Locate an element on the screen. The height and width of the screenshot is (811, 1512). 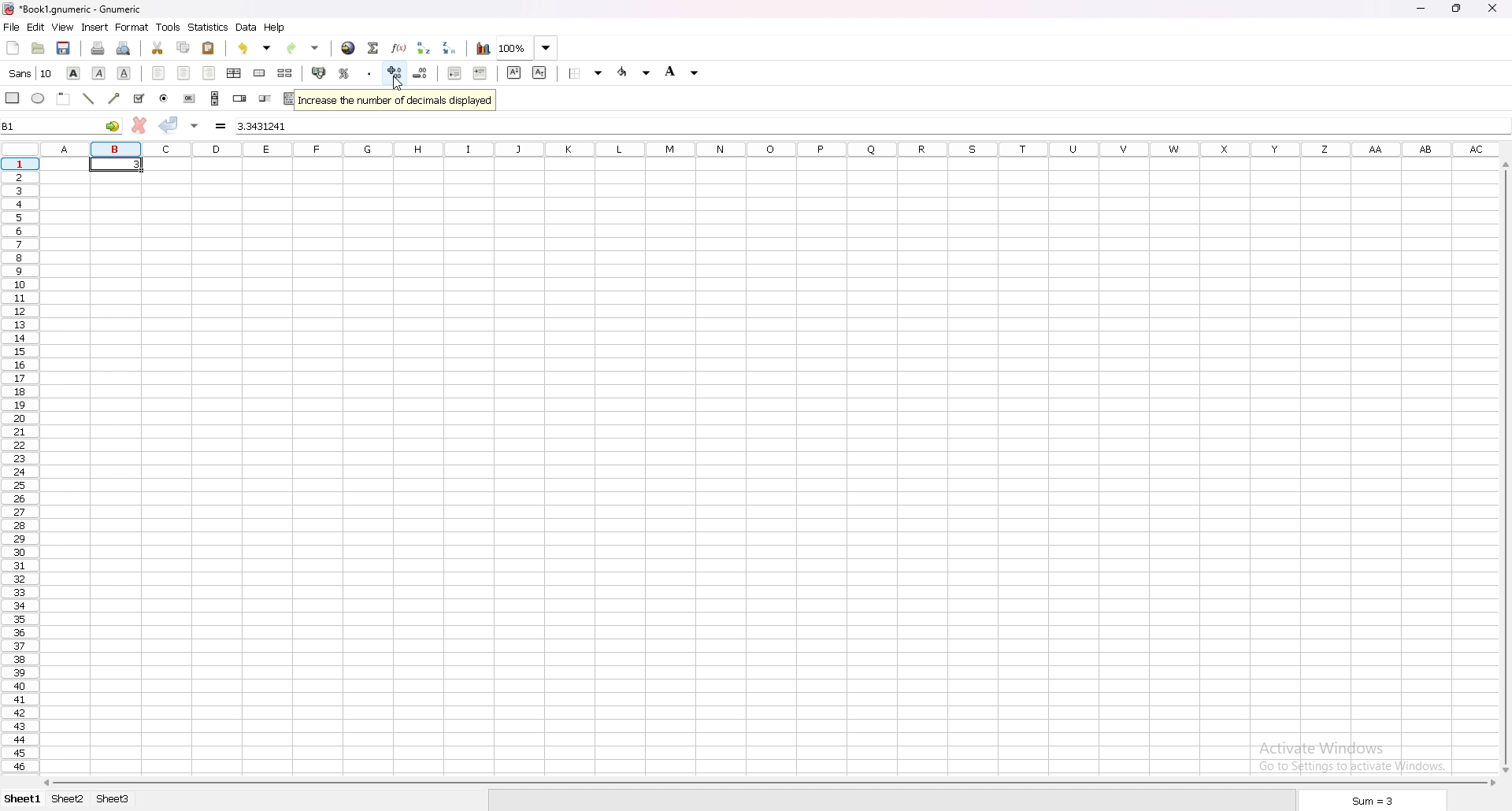
sheet1 is located at coordinates (21, 799).